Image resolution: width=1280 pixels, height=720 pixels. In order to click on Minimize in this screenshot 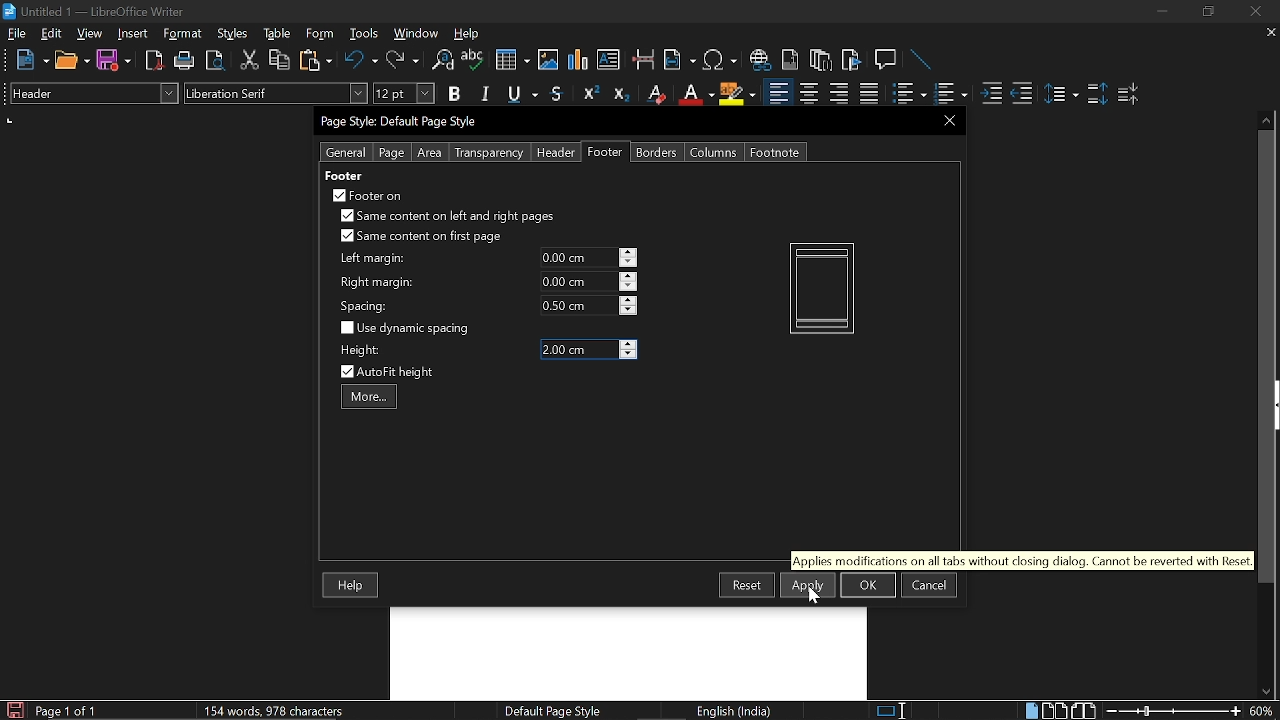, I will do `click(1162, 14)`.